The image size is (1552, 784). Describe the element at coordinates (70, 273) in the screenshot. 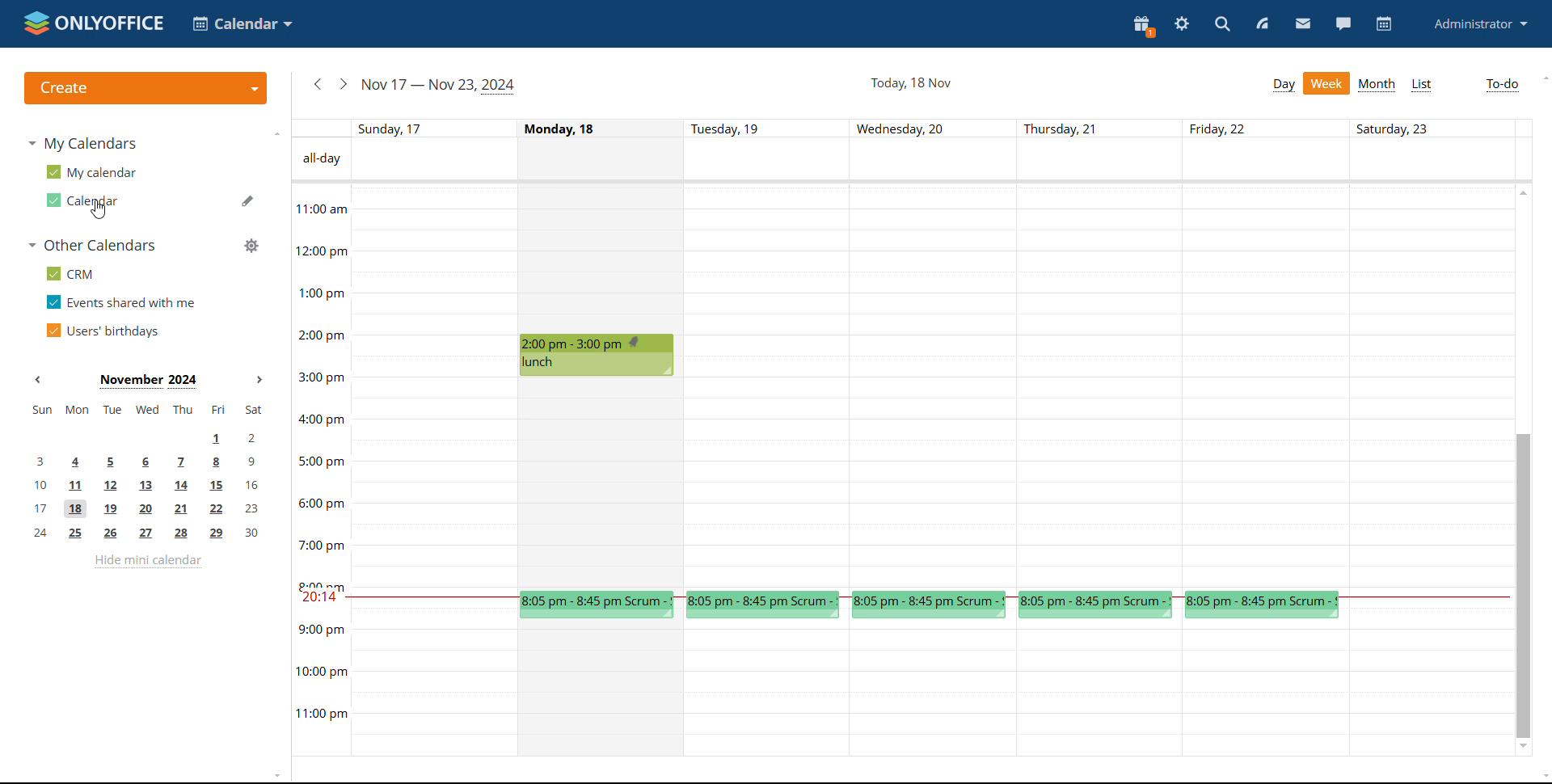

I see `crm` at that location.